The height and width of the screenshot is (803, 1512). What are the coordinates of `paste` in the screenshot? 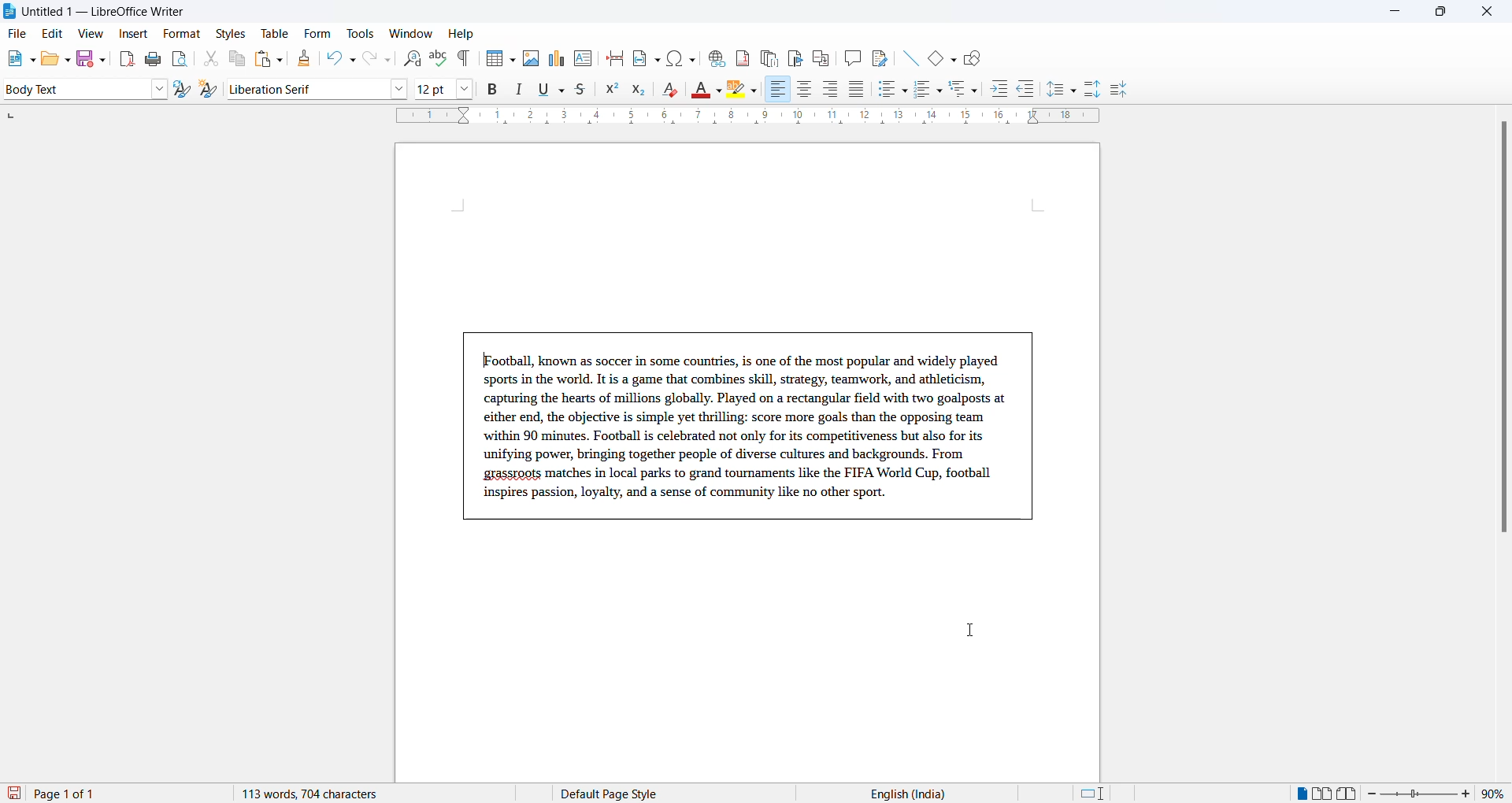 It's located at (266, 60).